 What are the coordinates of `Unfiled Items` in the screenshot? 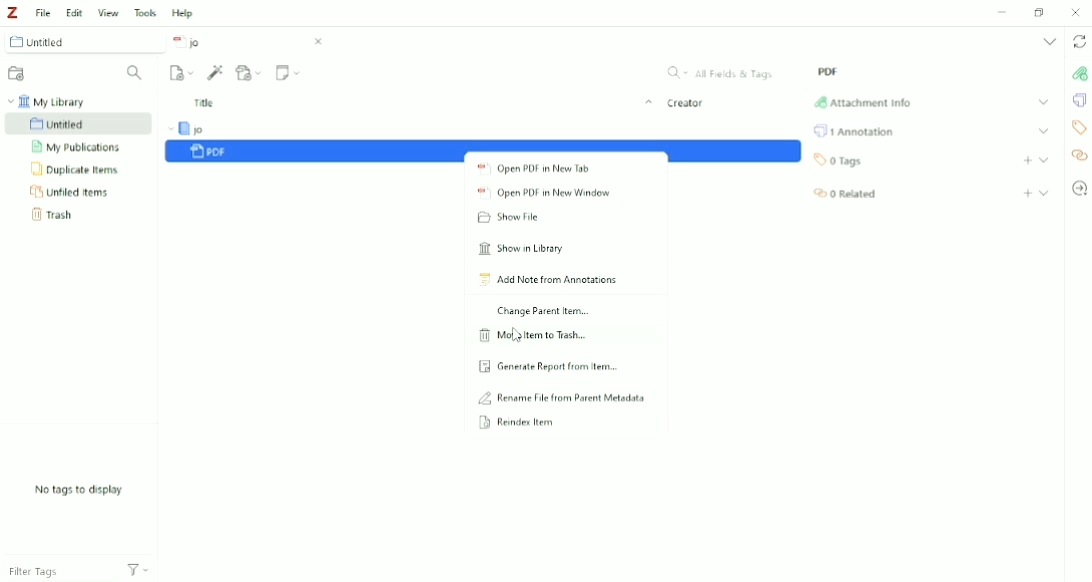 It's located at (69, 192).